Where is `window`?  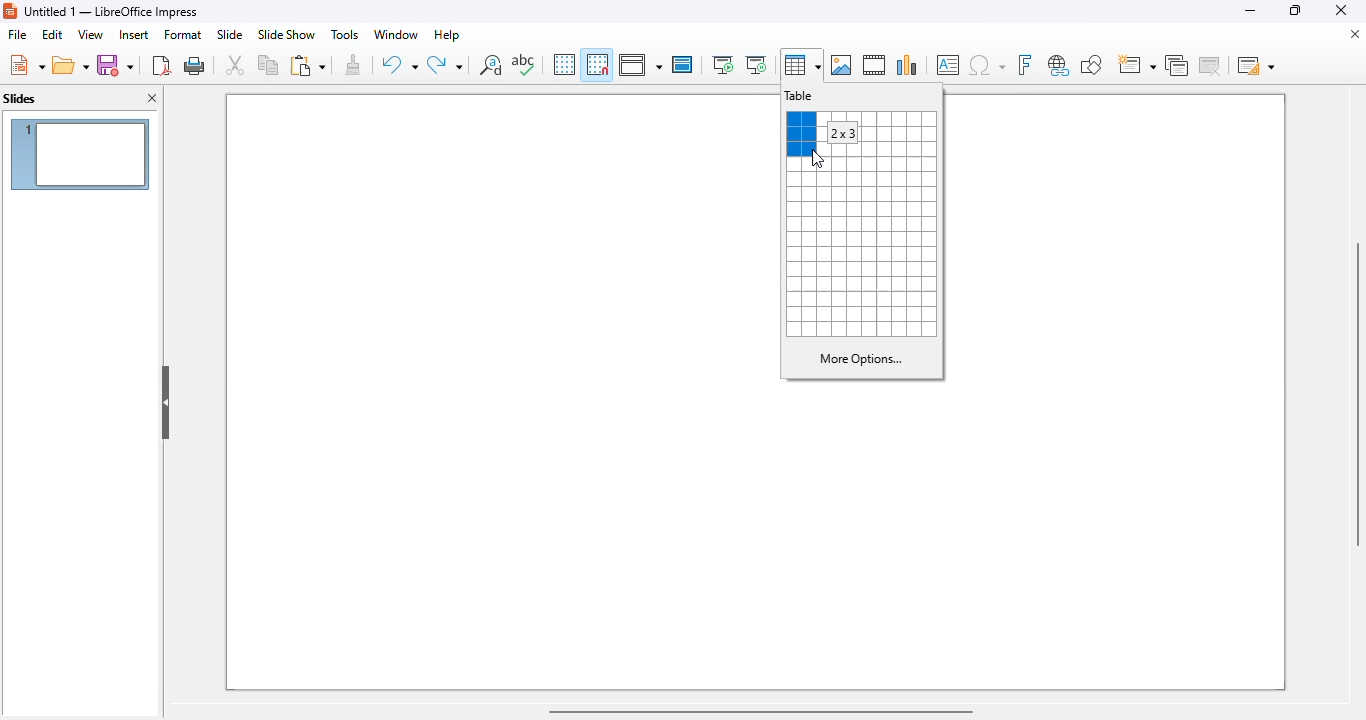
window is located at coordinates (397, 35).